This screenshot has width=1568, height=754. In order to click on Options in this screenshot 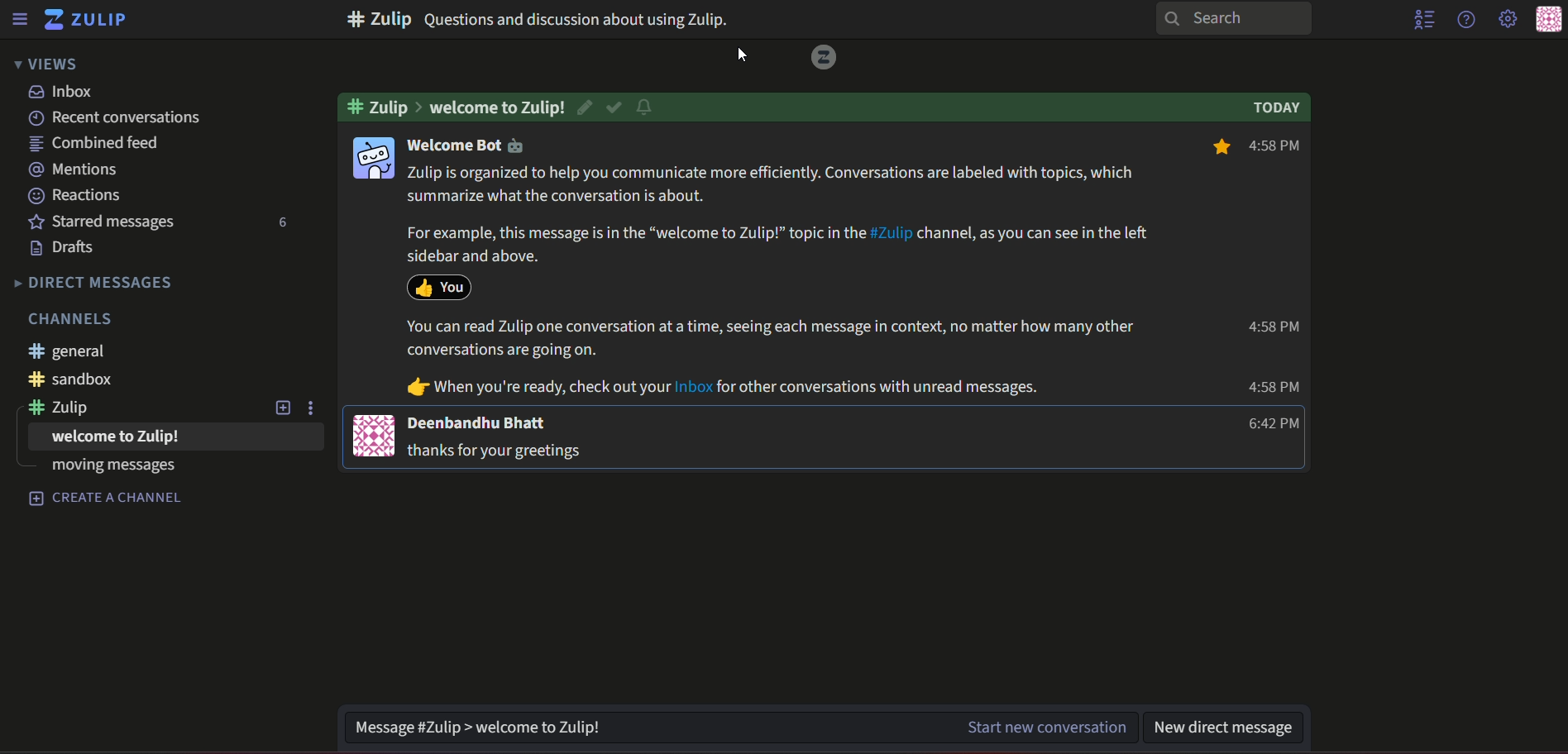, I will do `click(316, 408)`.